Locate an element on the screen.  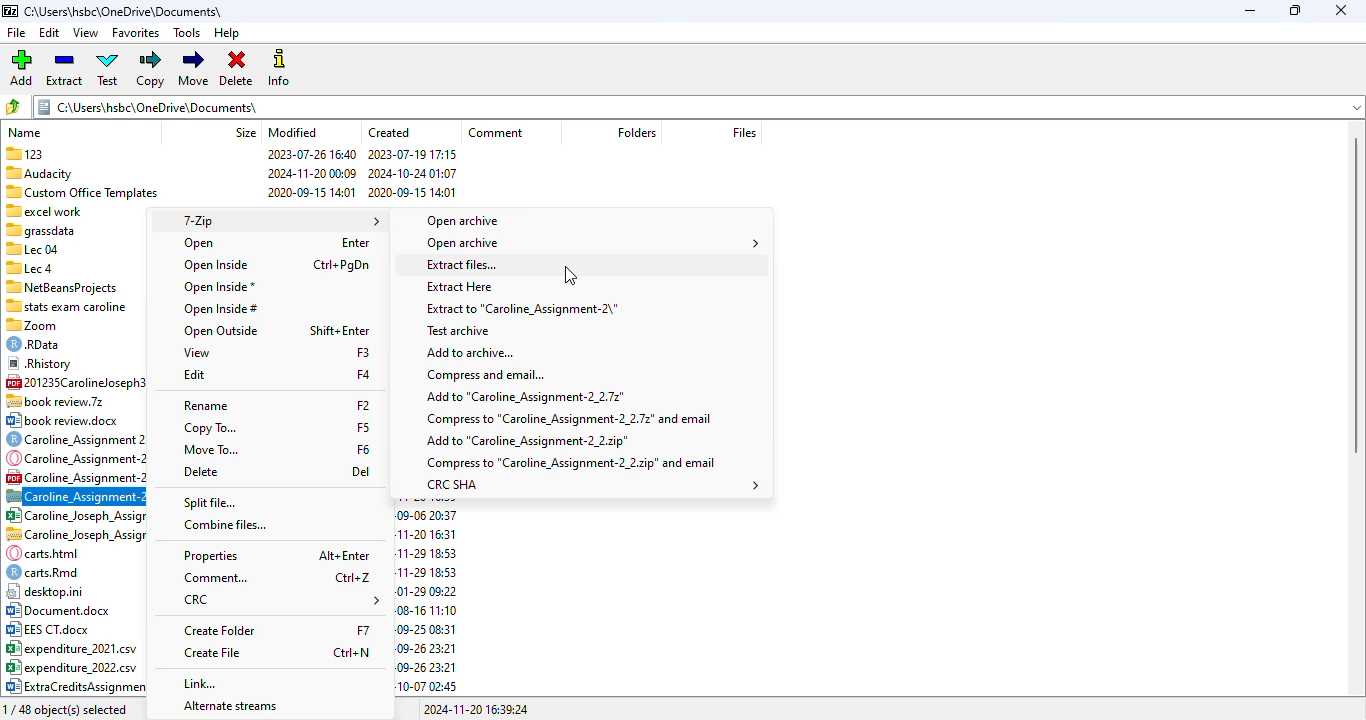
shortcut for rename is located at coordinates (363, 405).